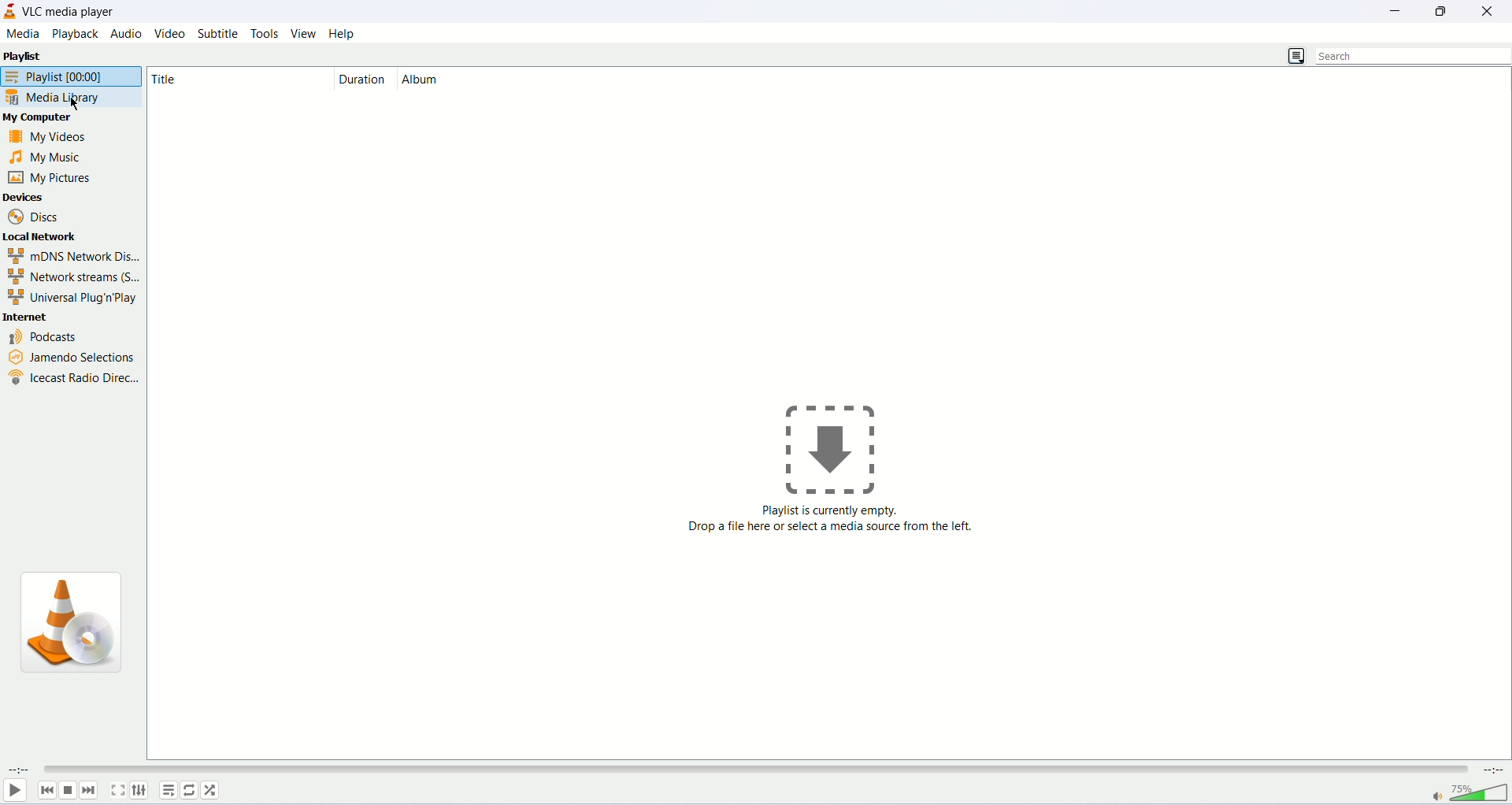 The image size is (1512, 805). I want to click on jamendo selections, so click(68, 354).